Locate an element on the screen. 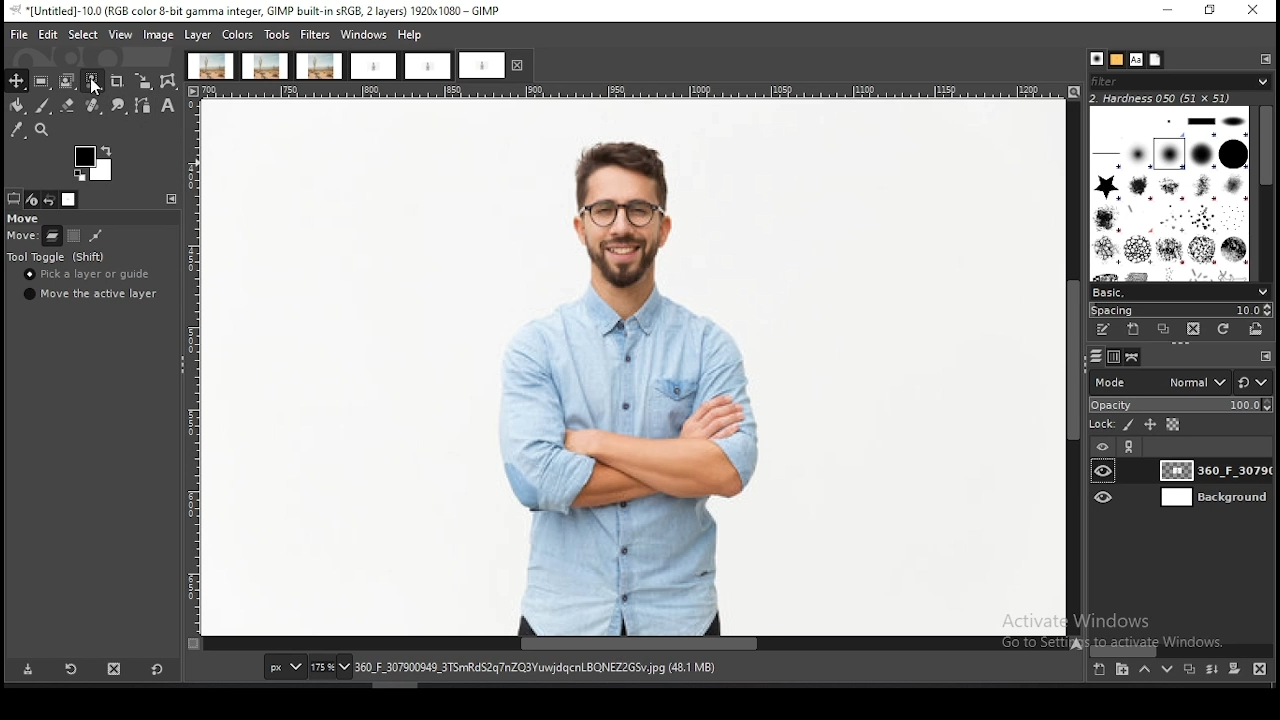 This screenshot has width=1280, height=720. brushes is located at coordinates (1096, 59).